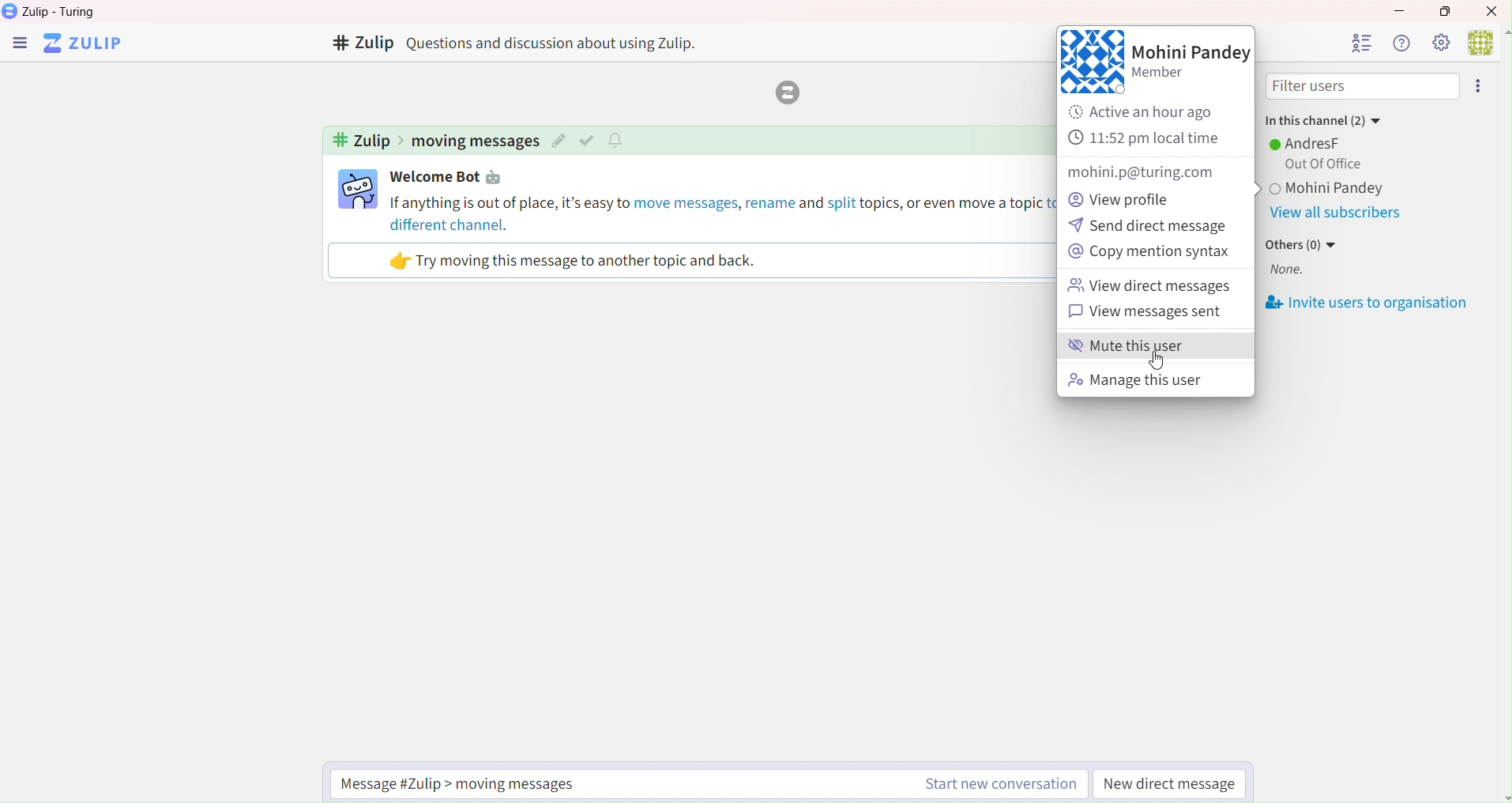  What do you see at coordinates (574, 261) in the screenshot?
I see `Try moving this message to another topic and back.` at bounding box center [574, 261].